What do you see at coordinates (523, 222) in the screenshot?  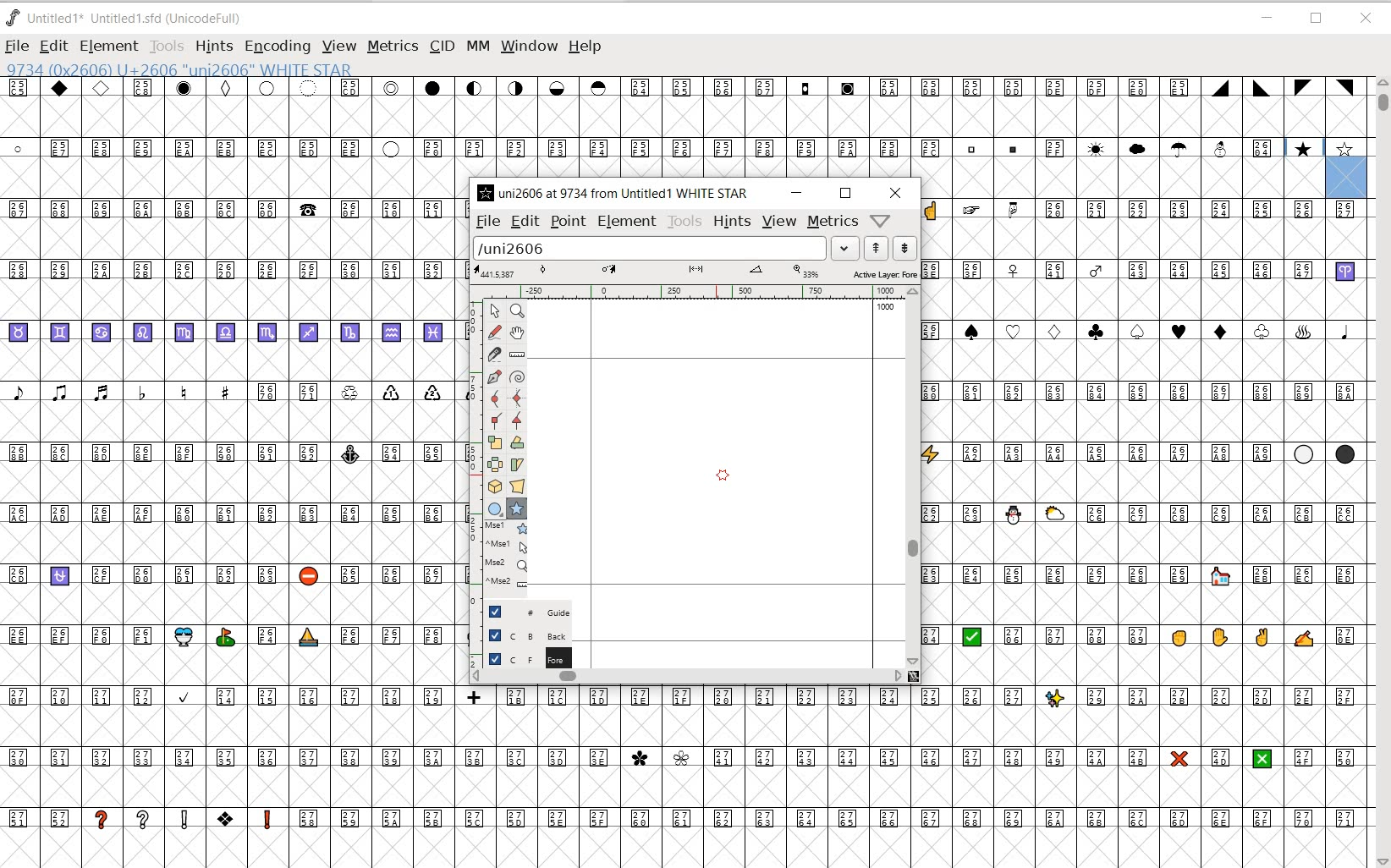 I see `EDIT` at bounding box center [523, 222].